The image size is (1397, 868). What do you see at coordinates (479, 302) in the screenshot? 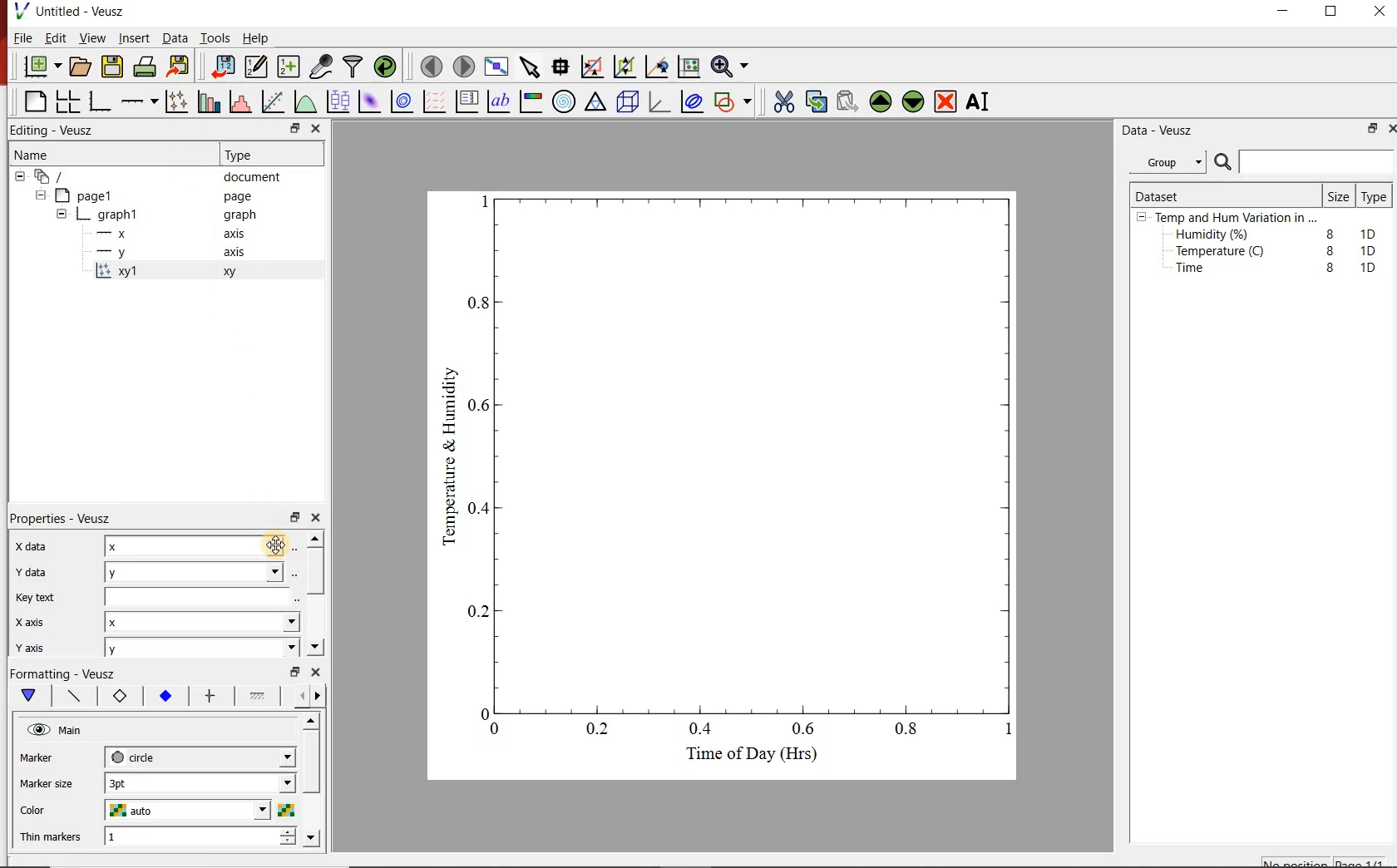
I see `0.8` at bounding box center [479, 302].